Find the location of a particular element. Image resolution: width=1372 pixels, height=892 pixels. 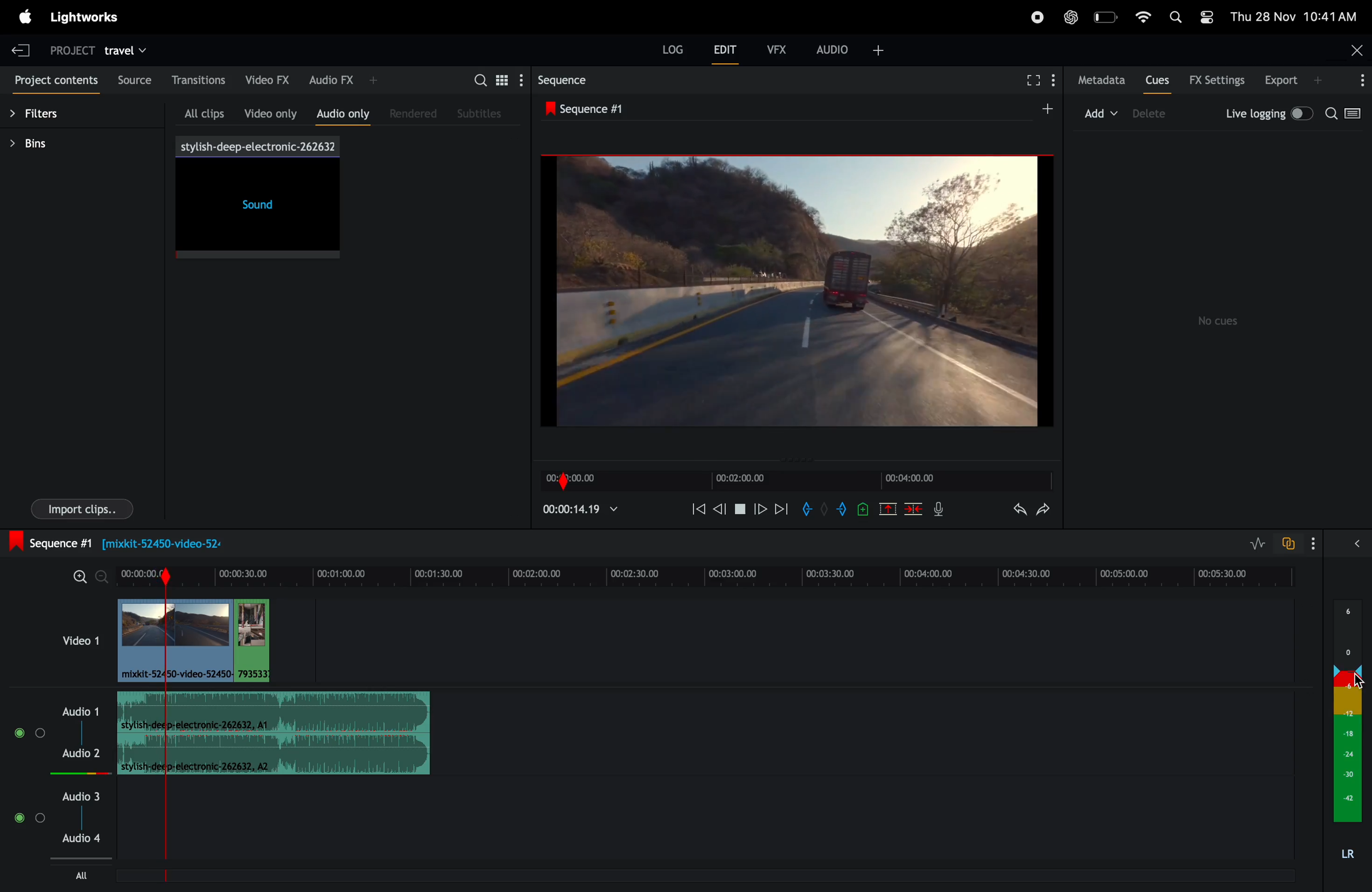

apple widgets is located at coordinates (1190, 14).